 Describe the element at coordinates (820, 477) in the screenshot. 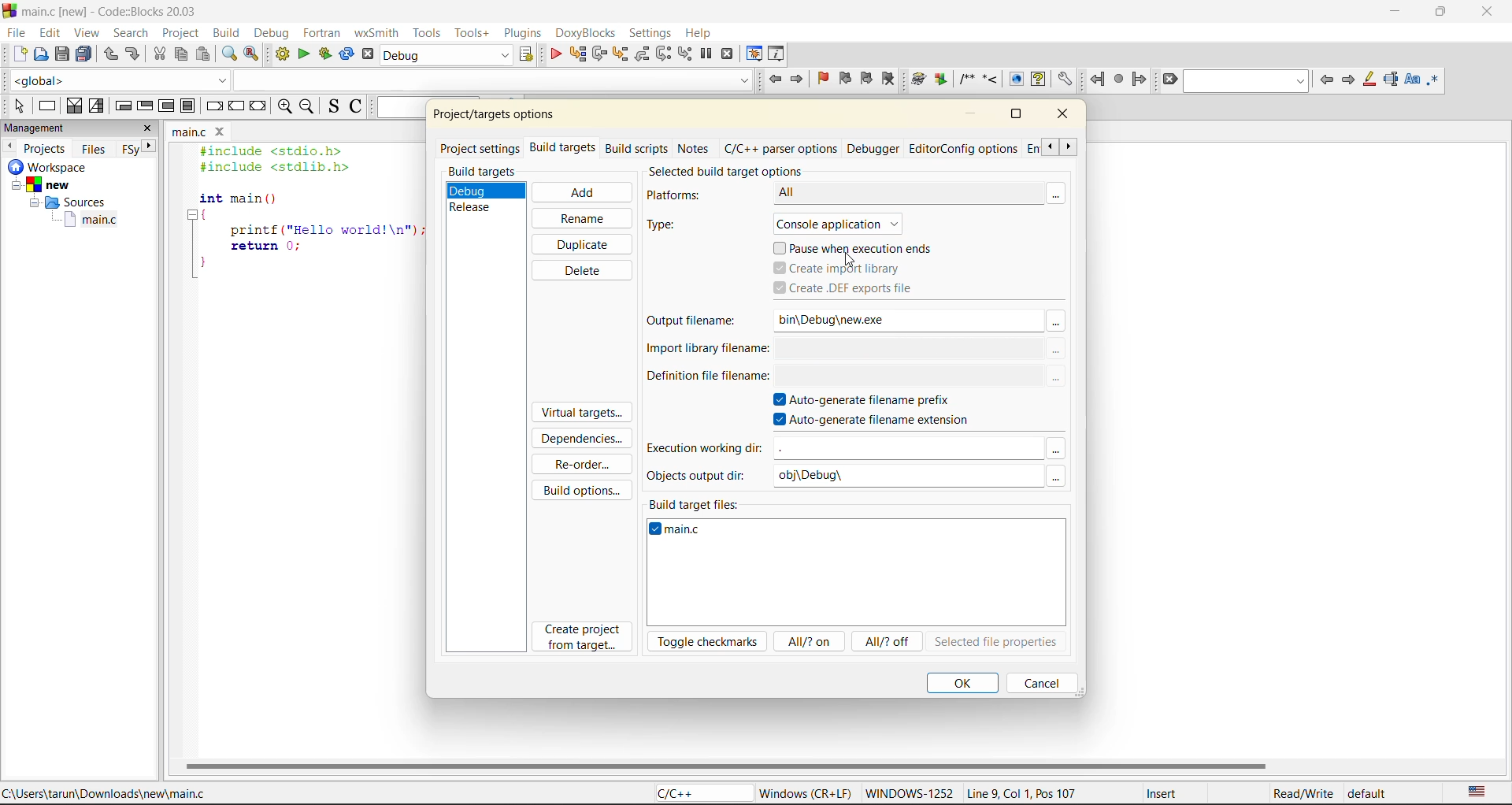

I see `obj\Debug\` at that location.